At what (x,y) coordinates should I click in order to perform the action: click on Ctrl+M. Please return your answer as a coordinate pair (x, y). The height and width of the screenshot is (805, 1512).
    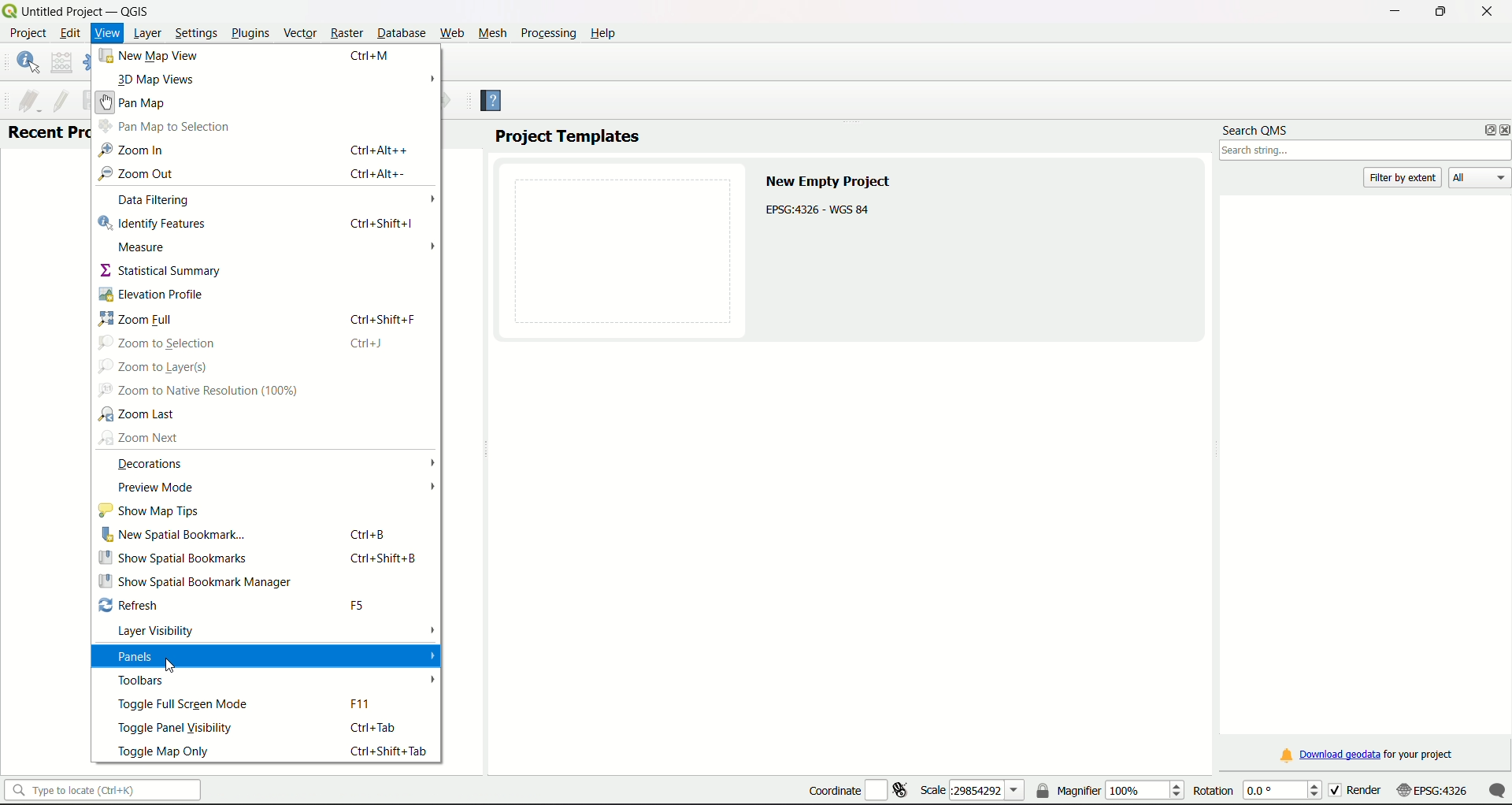
    Looking at the image, I should click on (372, 55).